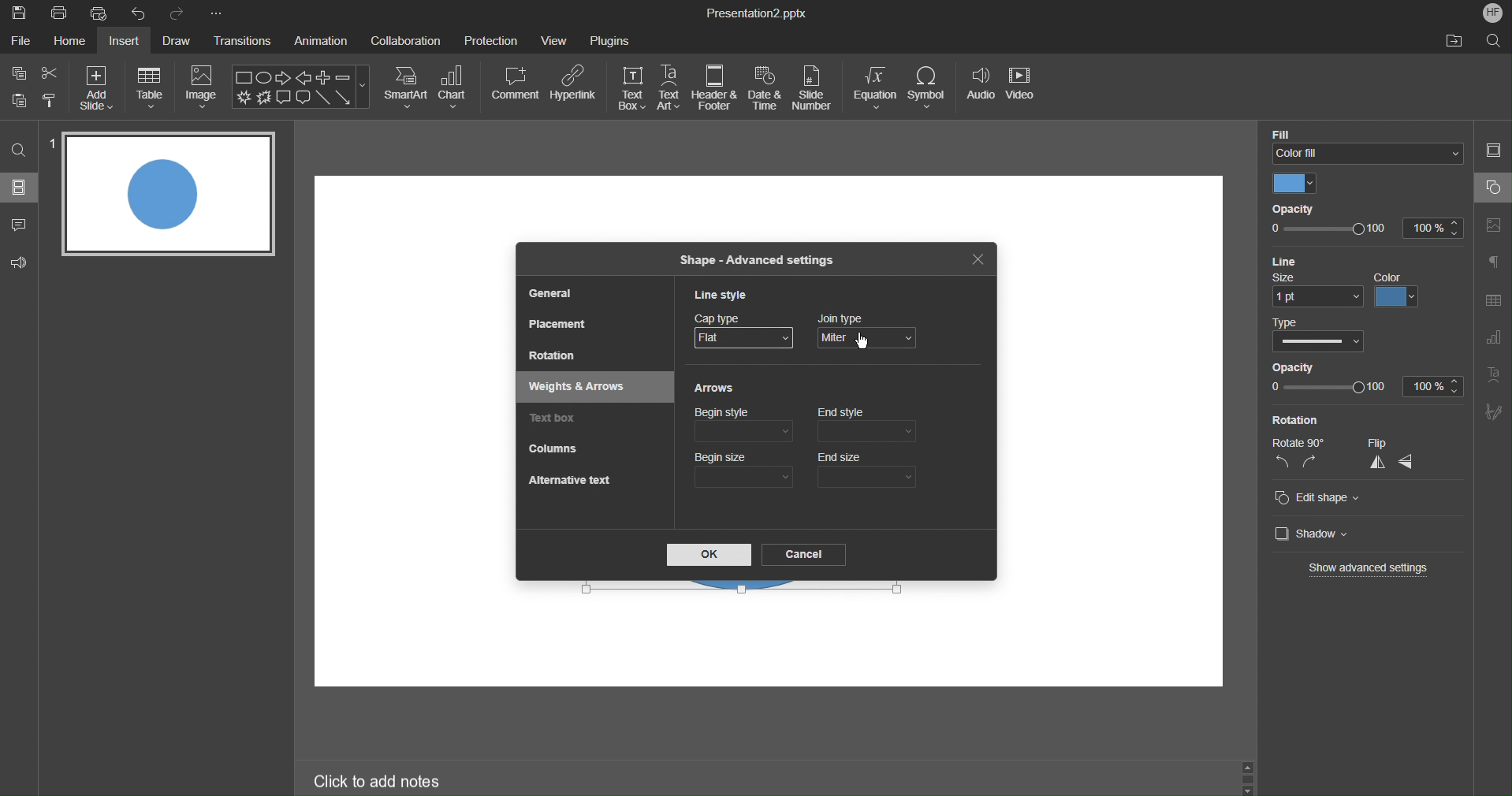 The width and height of the screenshot is (1512, 796). I want to click on Audio, so click(979, 90).